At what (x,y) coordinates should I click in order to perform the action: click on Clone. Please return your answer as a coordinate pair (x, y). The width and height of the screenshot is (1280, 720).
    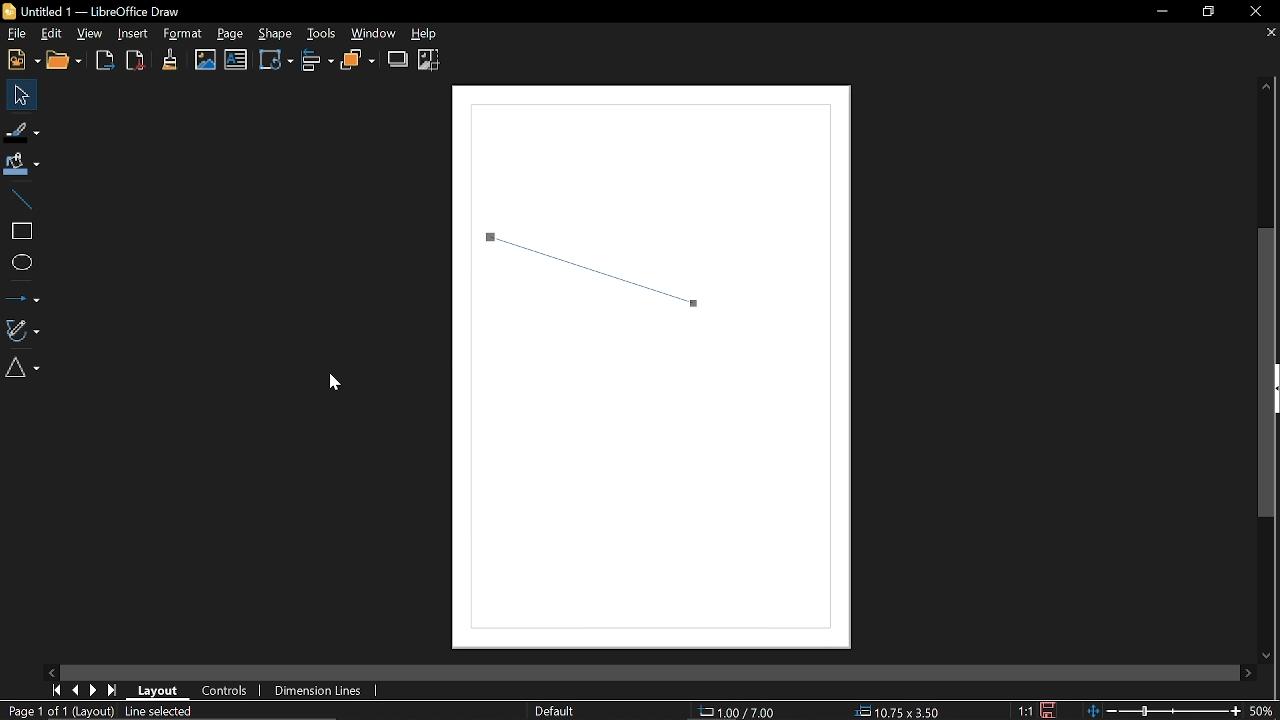
    Looking at the image, I should click on (171, 59).